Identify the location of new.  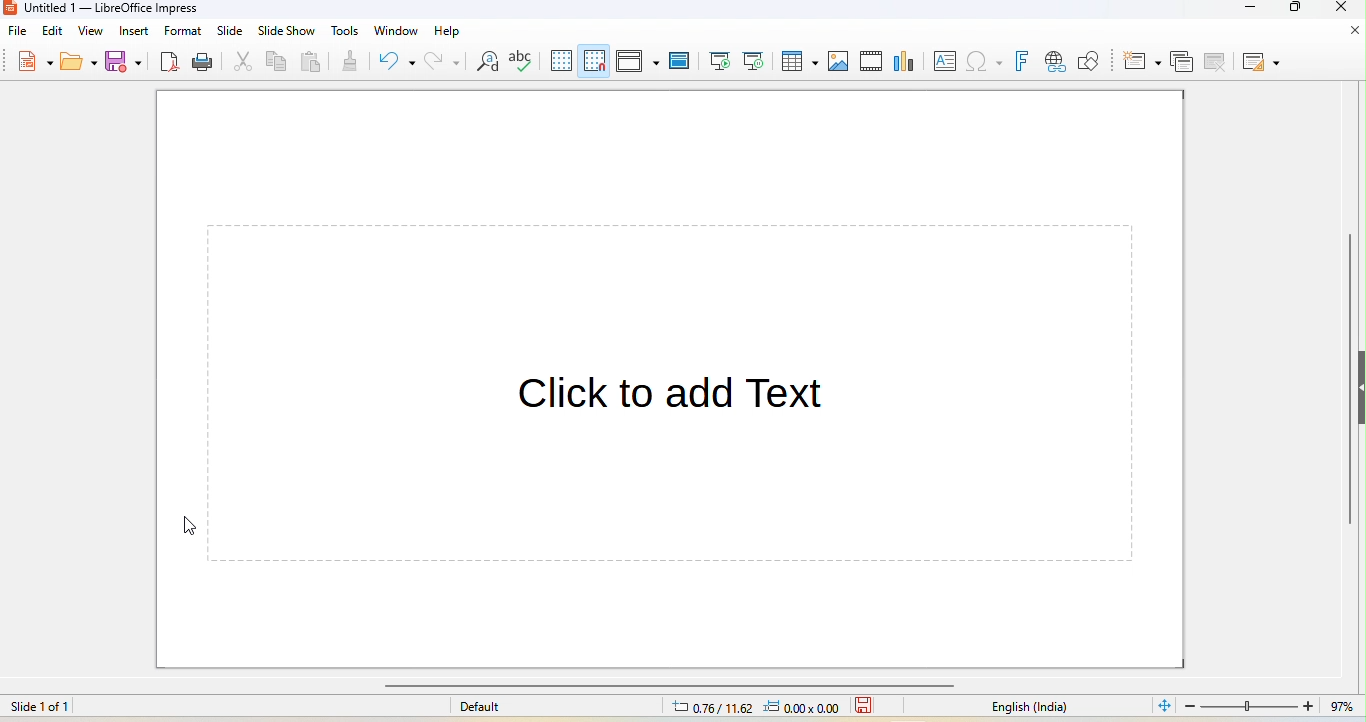
(36, 59).